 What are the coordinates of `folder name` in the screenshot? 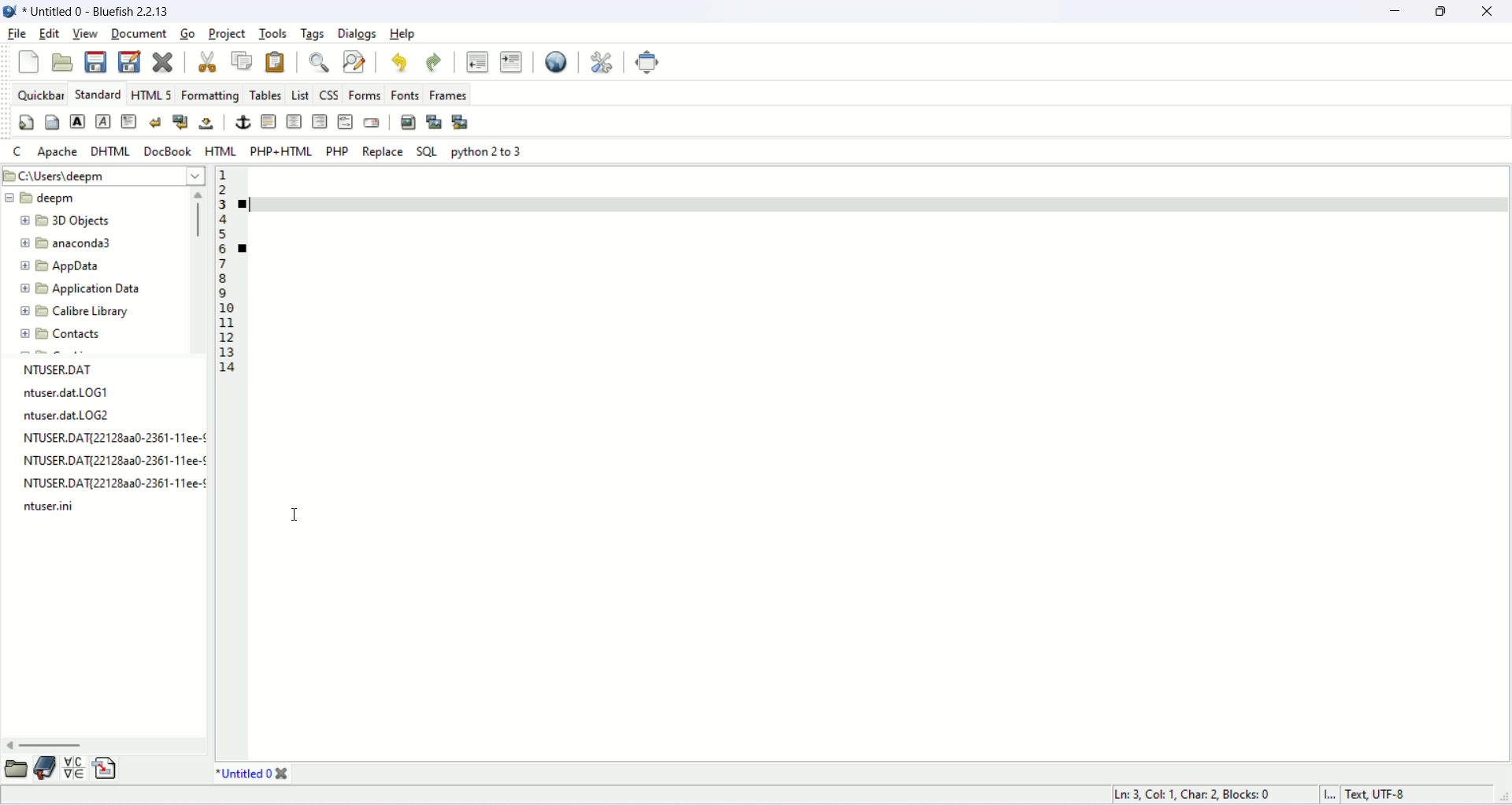 It's located at (57, 198).